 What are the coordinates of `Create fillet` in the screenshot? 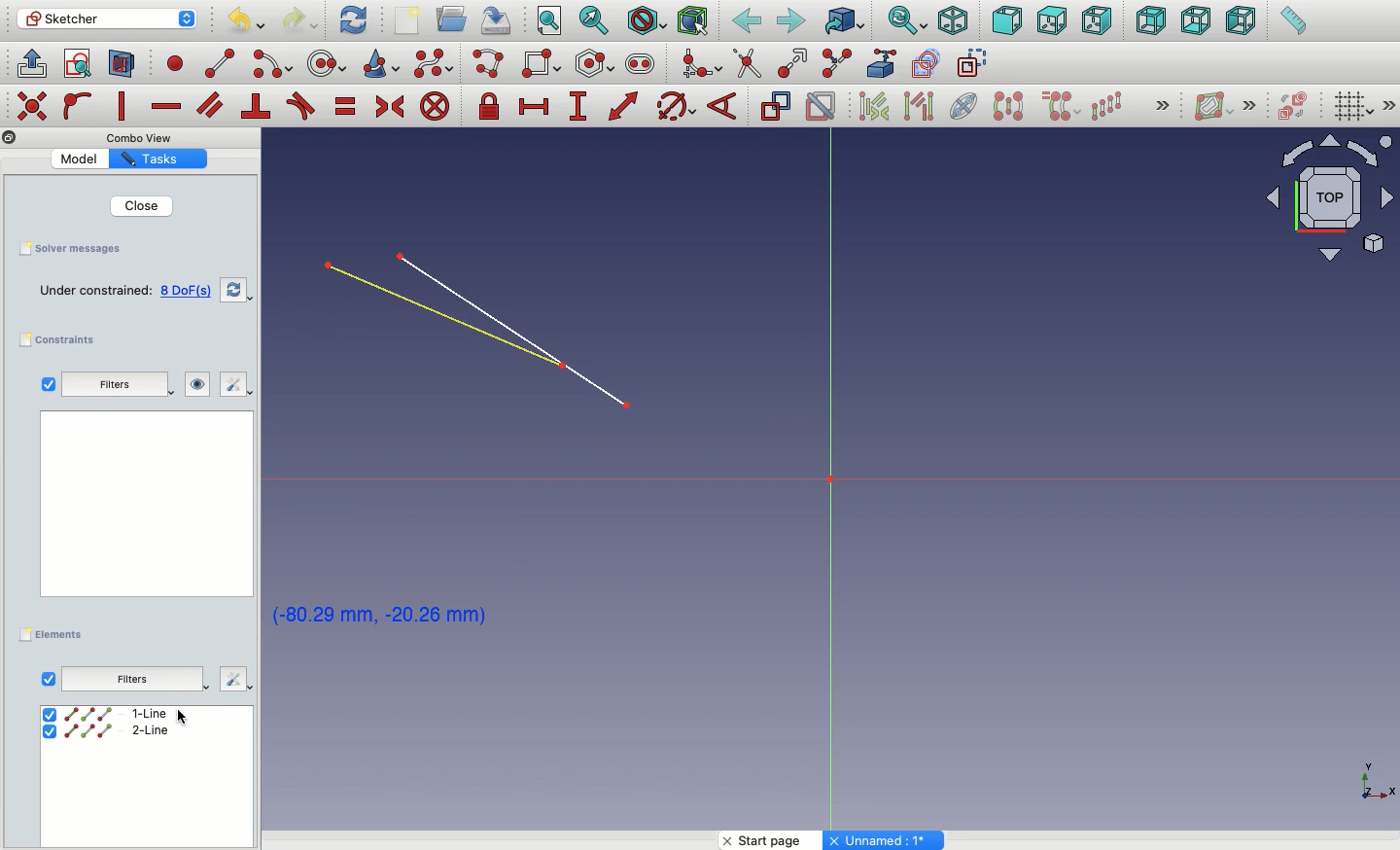 It's located at (700, 64).